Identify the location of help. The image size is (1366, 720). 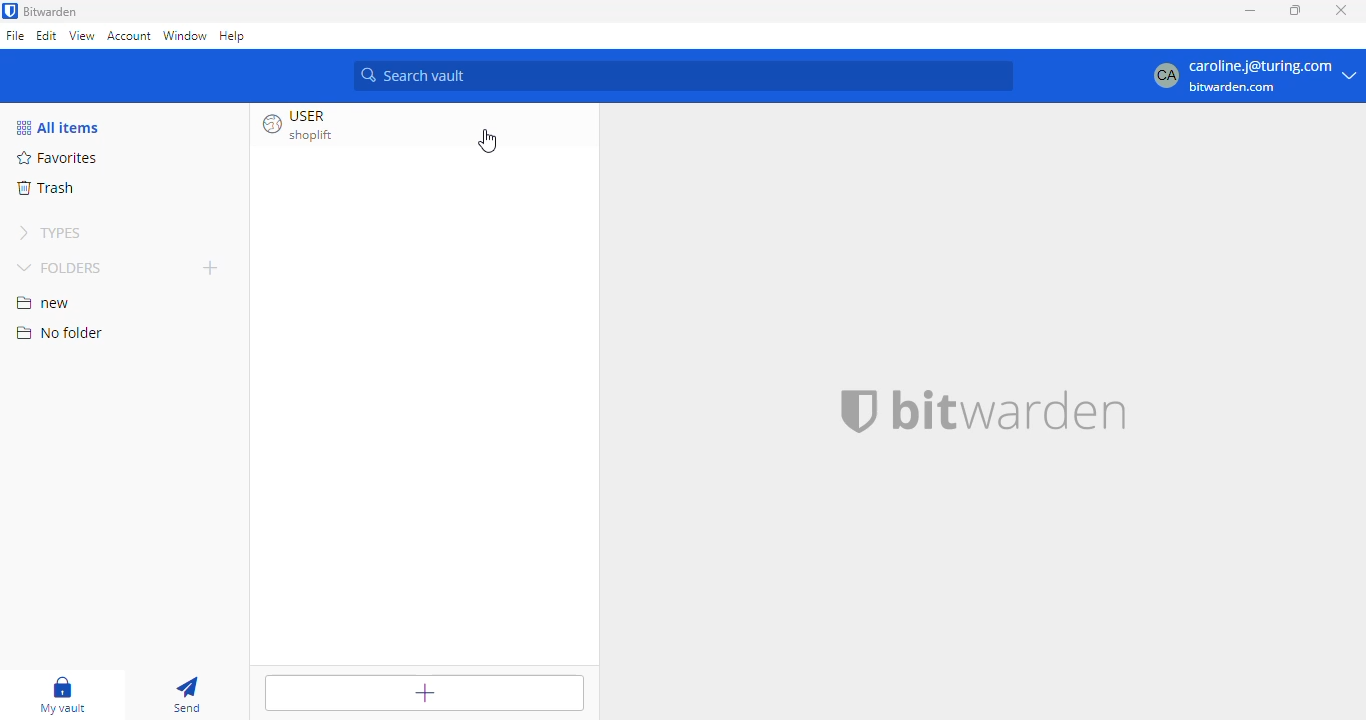
(232, 37).